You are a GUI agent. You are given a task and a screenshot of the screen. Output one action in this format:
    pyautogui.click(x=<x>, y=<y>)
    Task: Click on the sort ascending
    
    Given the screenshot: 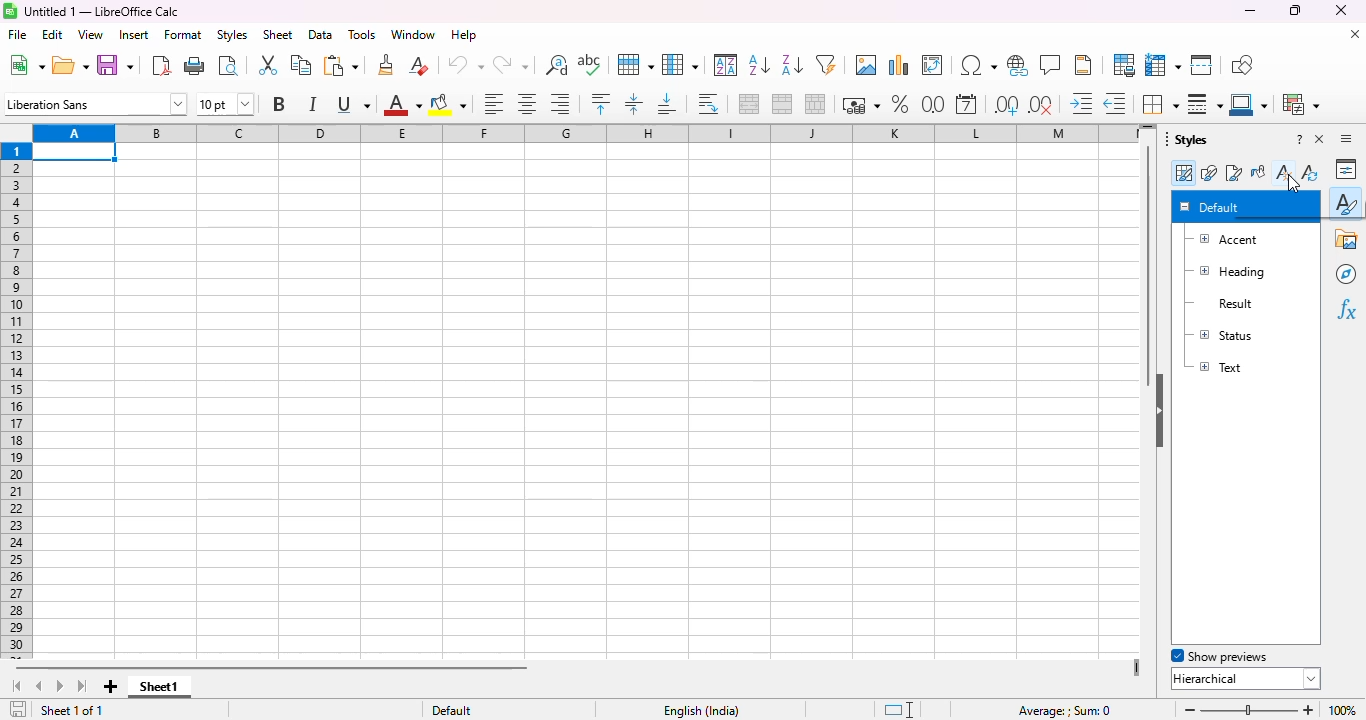 What is the action you would take?
    pyautogui.click(x=759, y=64)
    